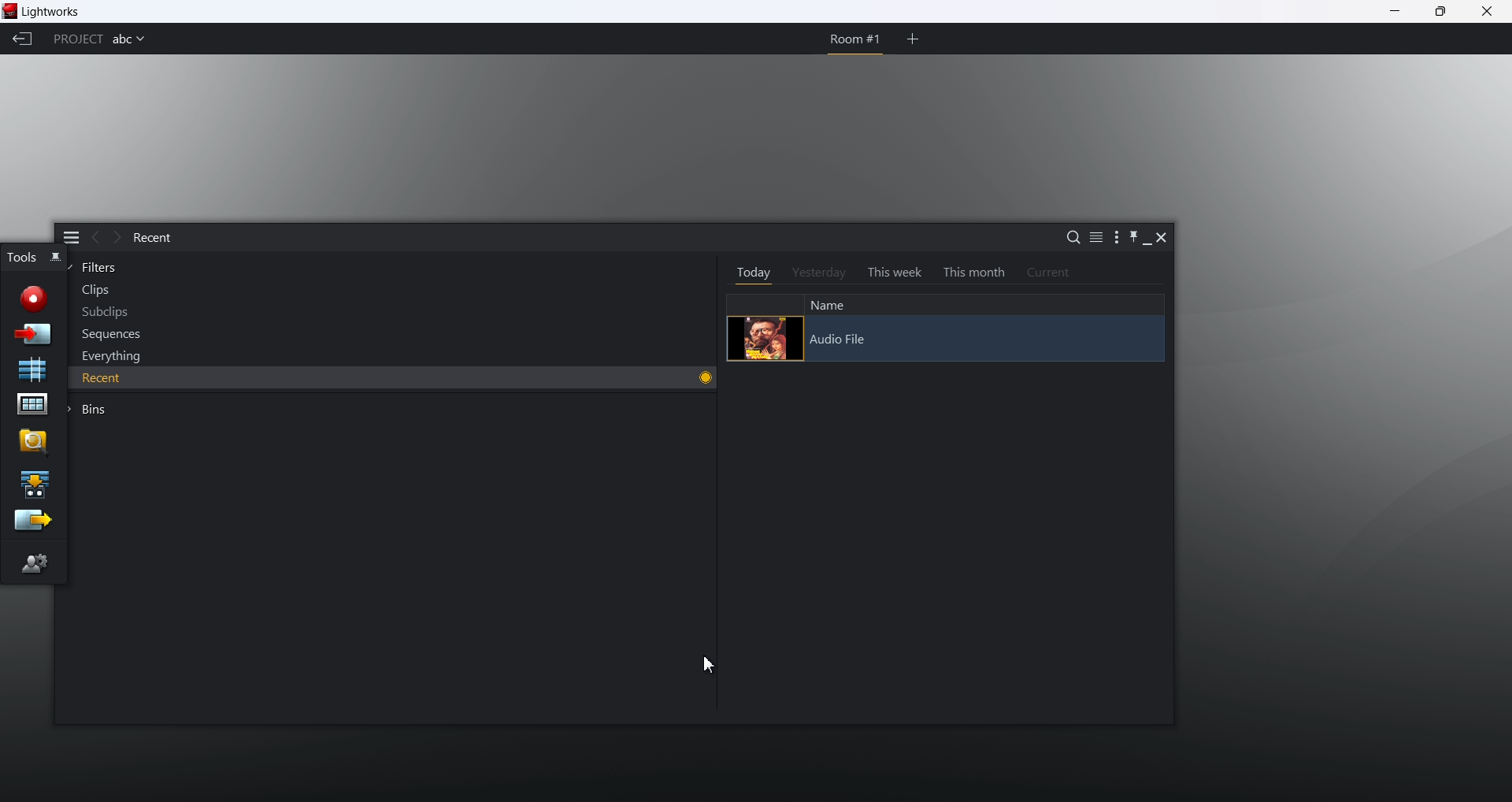 Image resolution: width=1512 pixels, height=802 pixels. Describe the element at coordinates (814, 273) in the screenshot. I see `yesterday` at that location.